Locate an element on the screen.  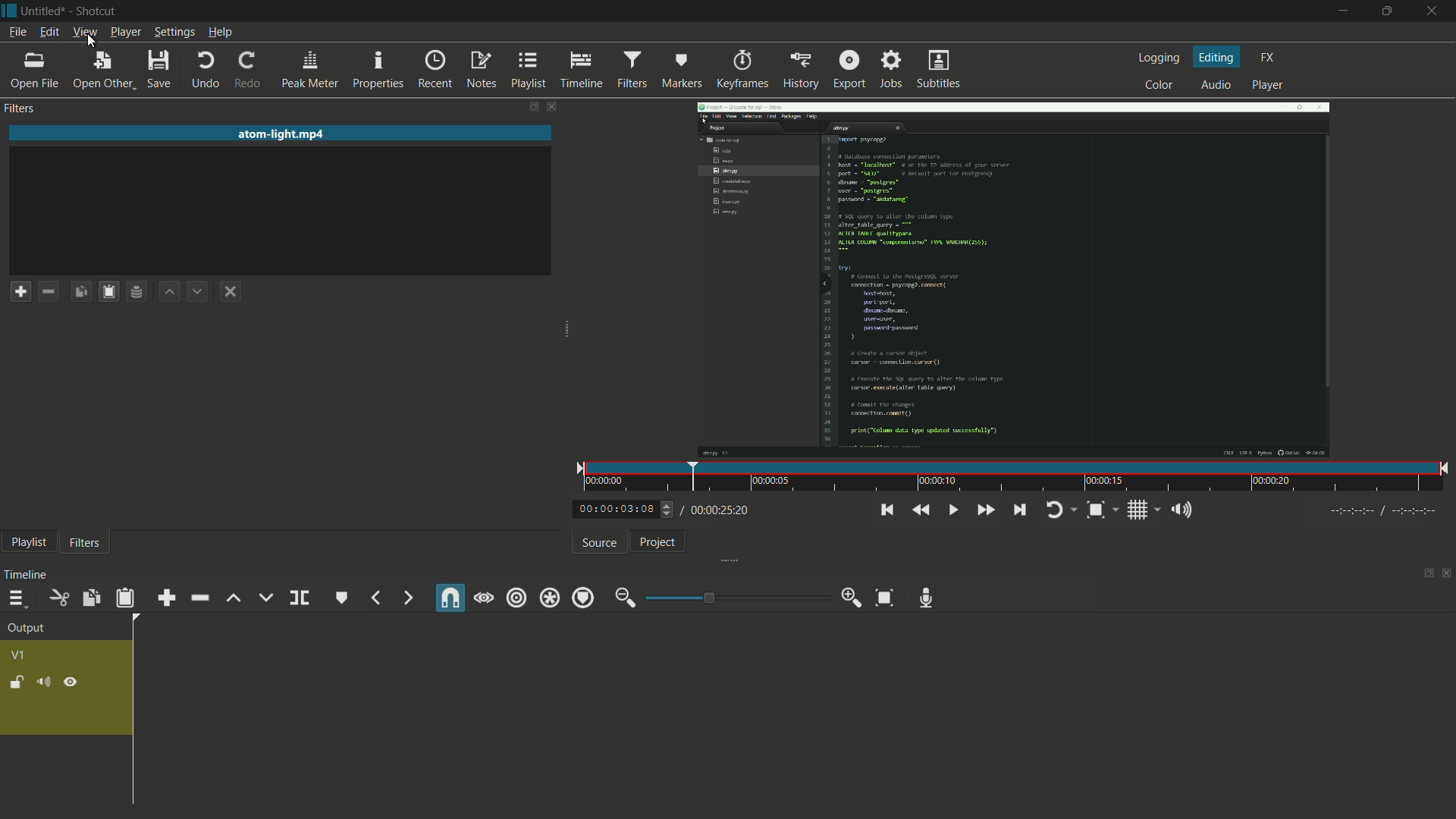
scrub while dragging is located at coordinates (484, 598).